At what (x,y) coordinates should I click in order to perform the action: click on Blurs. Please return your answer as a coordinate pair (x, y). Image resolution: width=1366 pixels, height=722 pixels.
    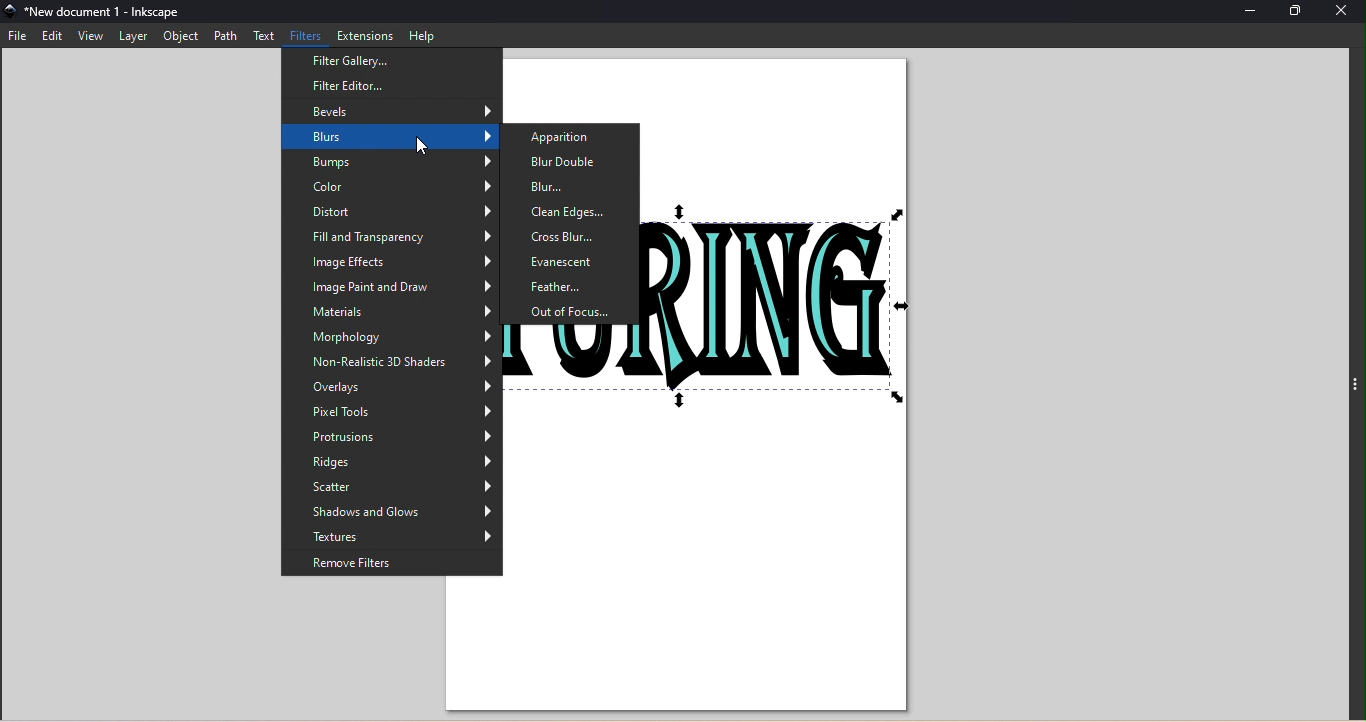
    Looking at the image, I should click on (391, 137).